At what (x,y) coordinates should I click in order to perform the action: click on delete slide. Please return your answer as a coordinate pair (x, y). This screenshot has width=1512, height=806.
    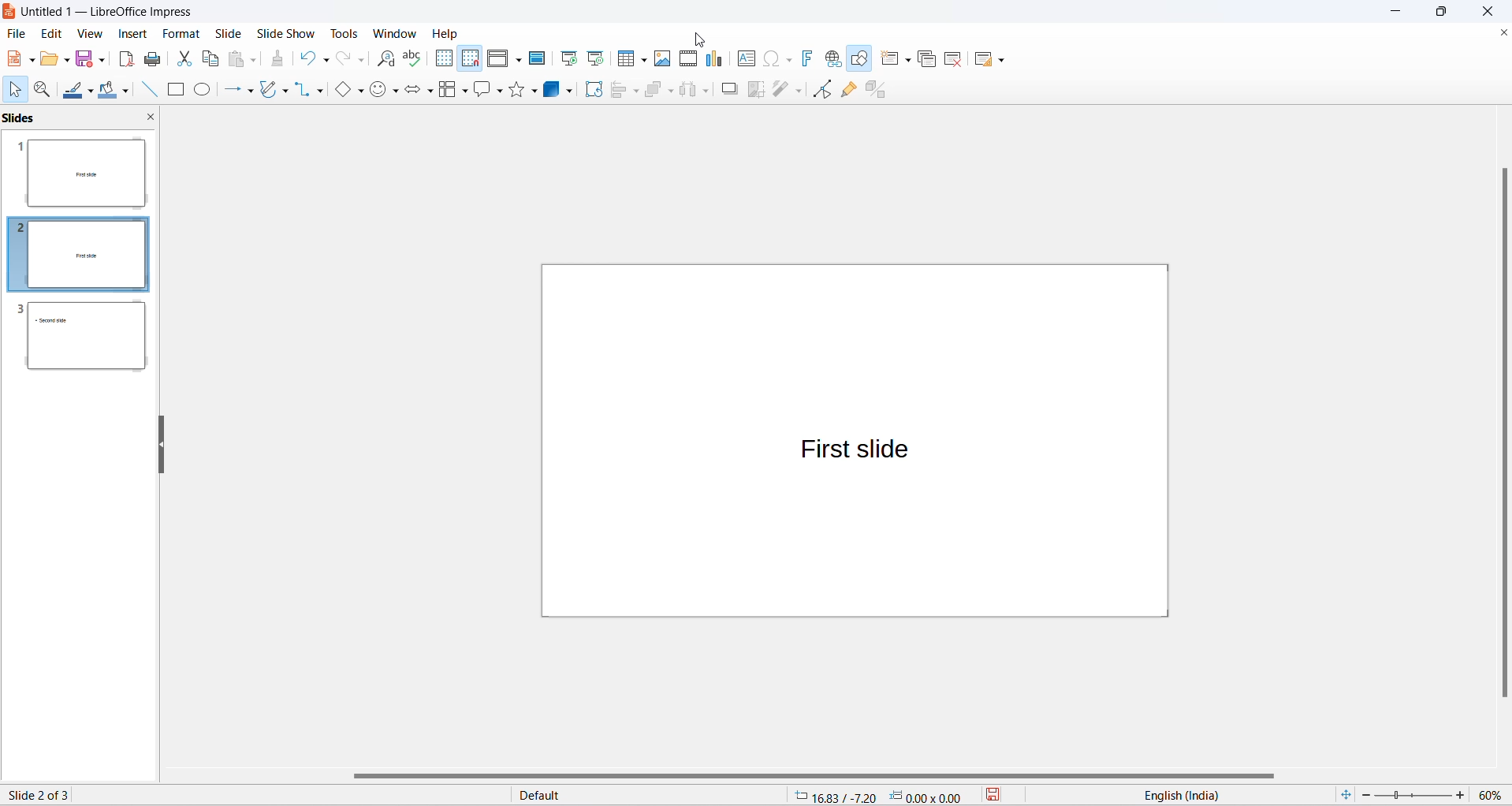
    Looking at the image, I should click on (954, 60).